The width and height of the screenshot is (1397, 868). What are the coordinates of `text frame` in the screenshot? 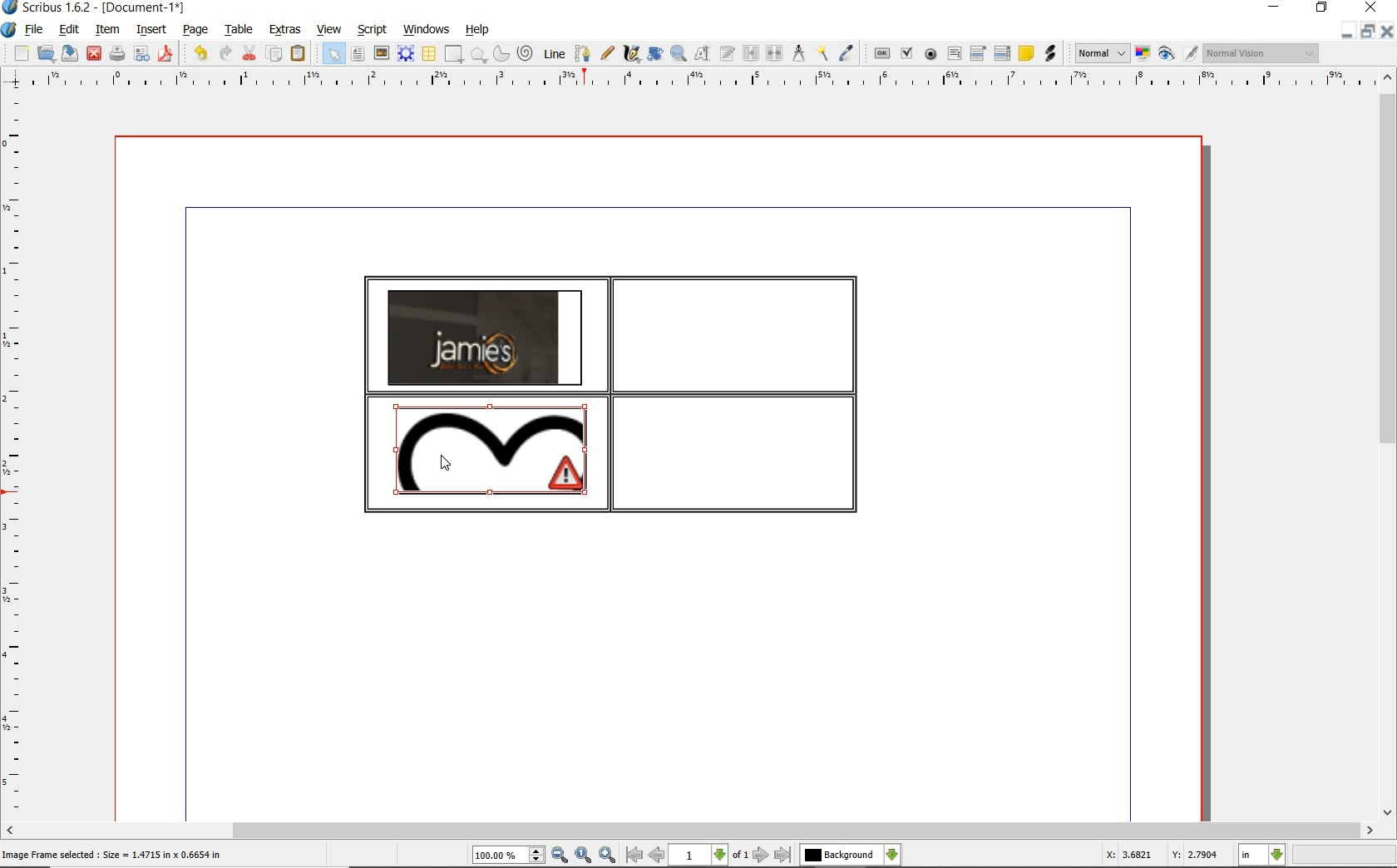 It's located at (358, 56).